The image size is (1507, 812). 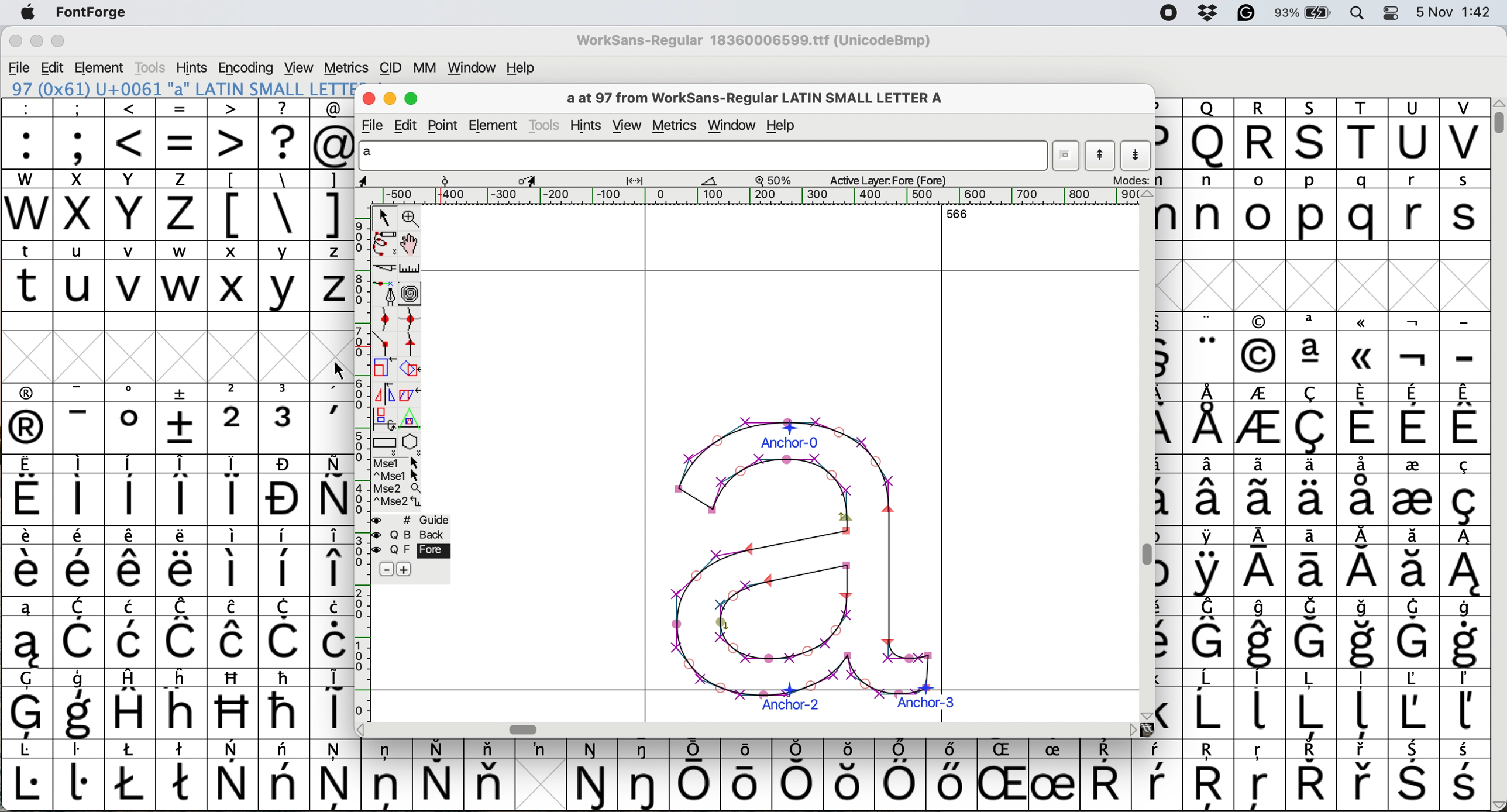 I want to click on symbol, so click(x=1414, y=776).